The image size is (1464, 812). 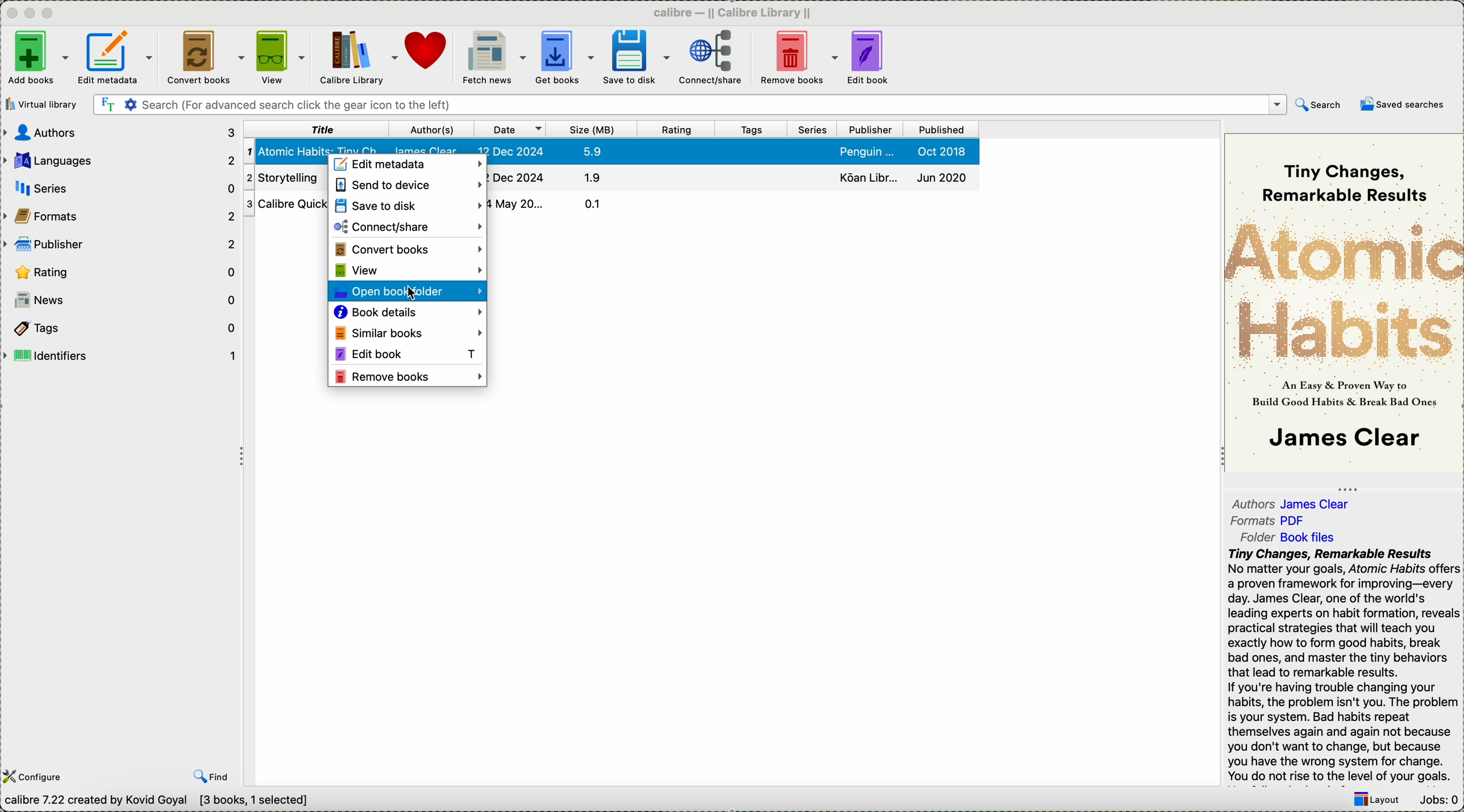 I want to click on author(s), so click(x=430, y=130).